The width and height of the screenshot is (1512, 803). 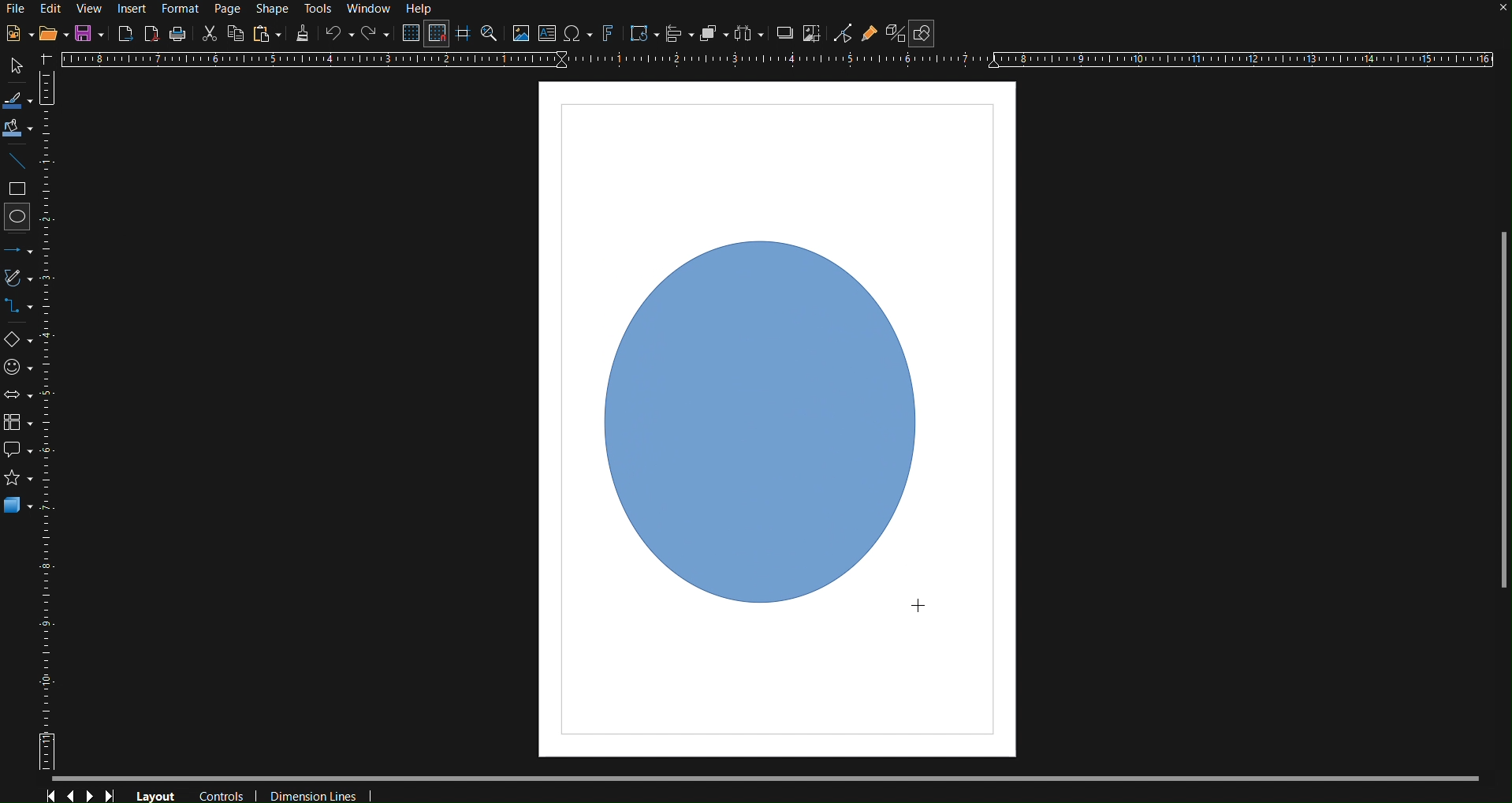 I want to click on Insert, so click(x=134, y=9).